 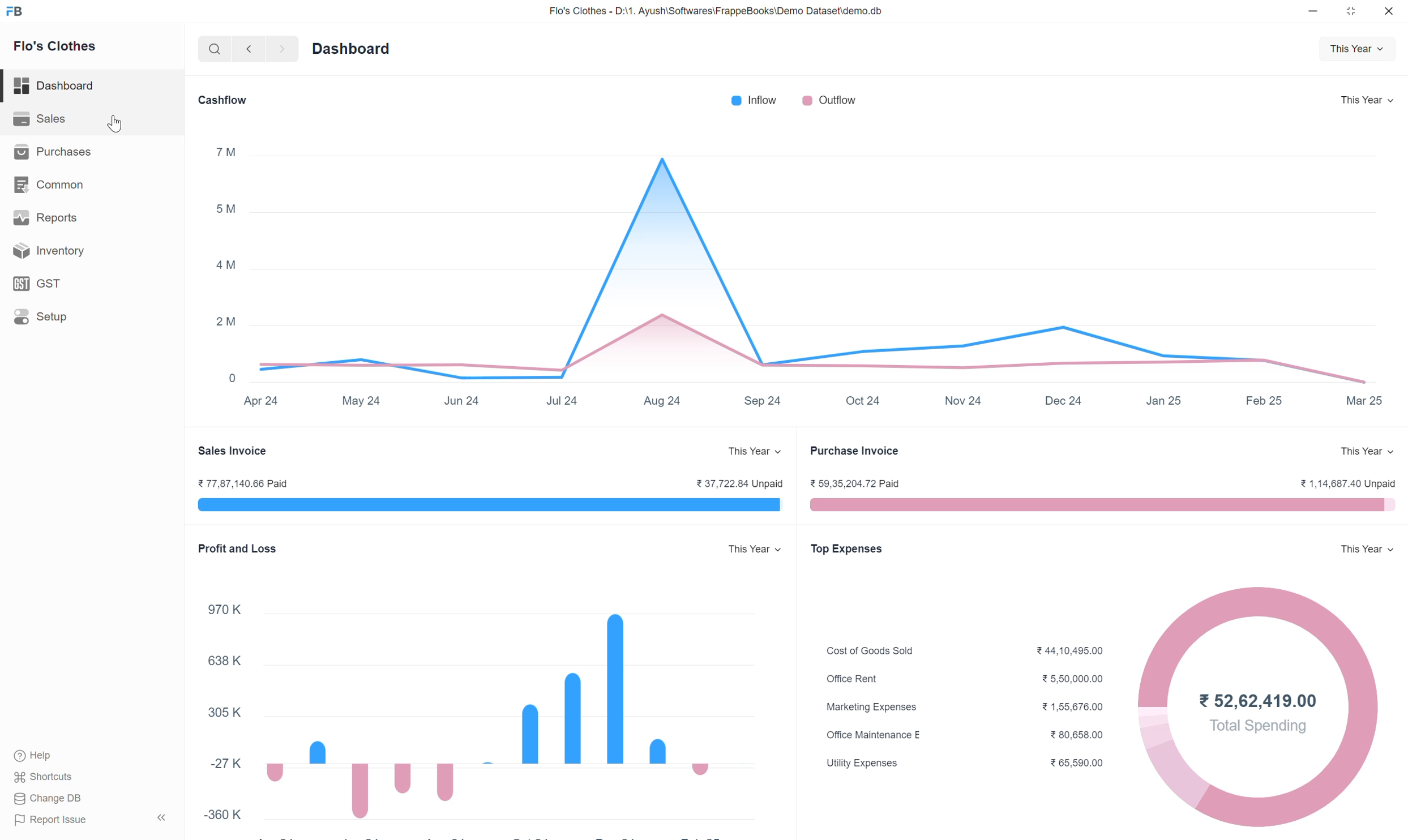 I want to click on 7™, so click(x=223, y=152).